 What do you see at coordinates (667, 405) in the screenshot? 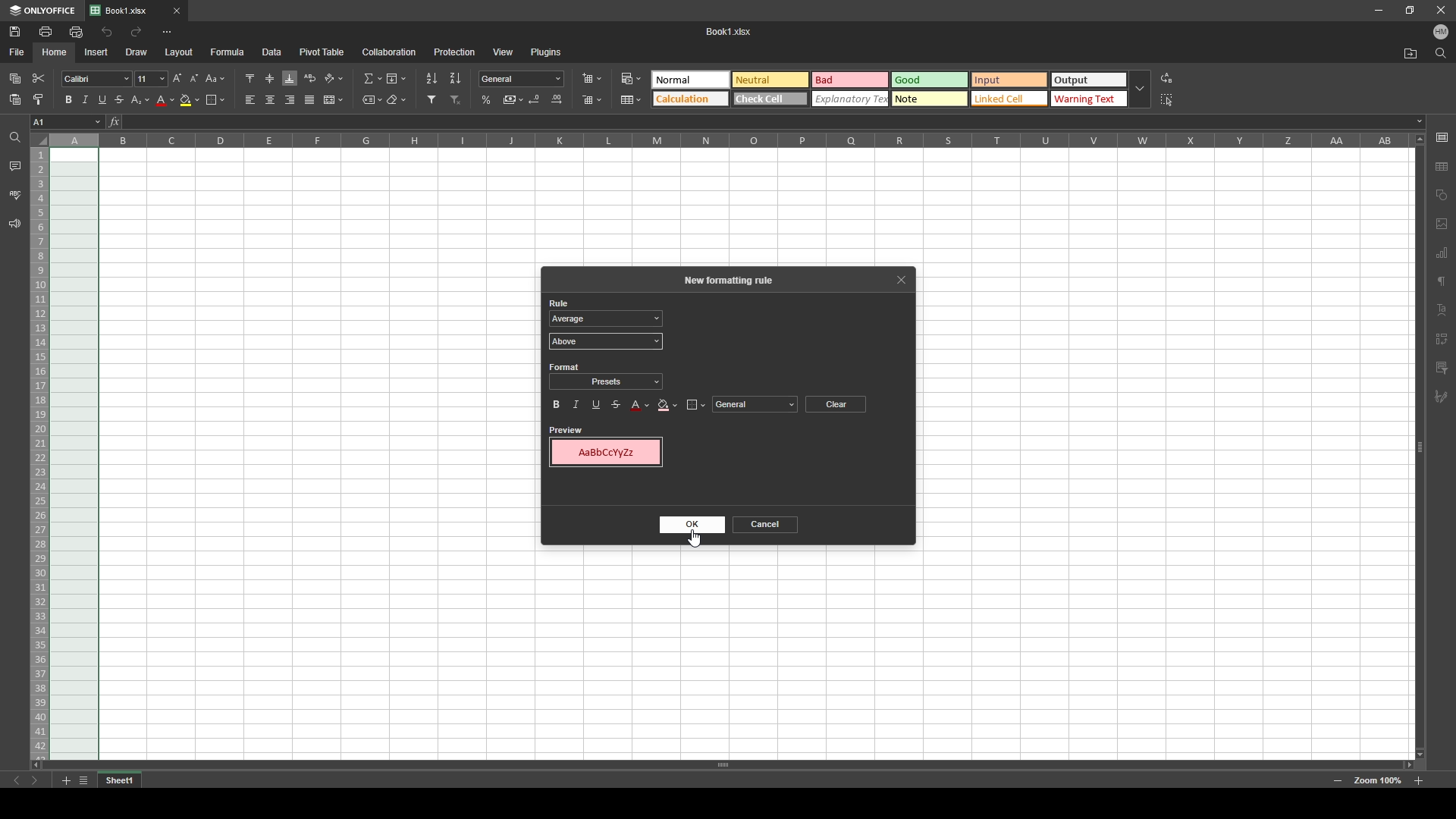
I see `fill color` at bounding box center [667, 405].